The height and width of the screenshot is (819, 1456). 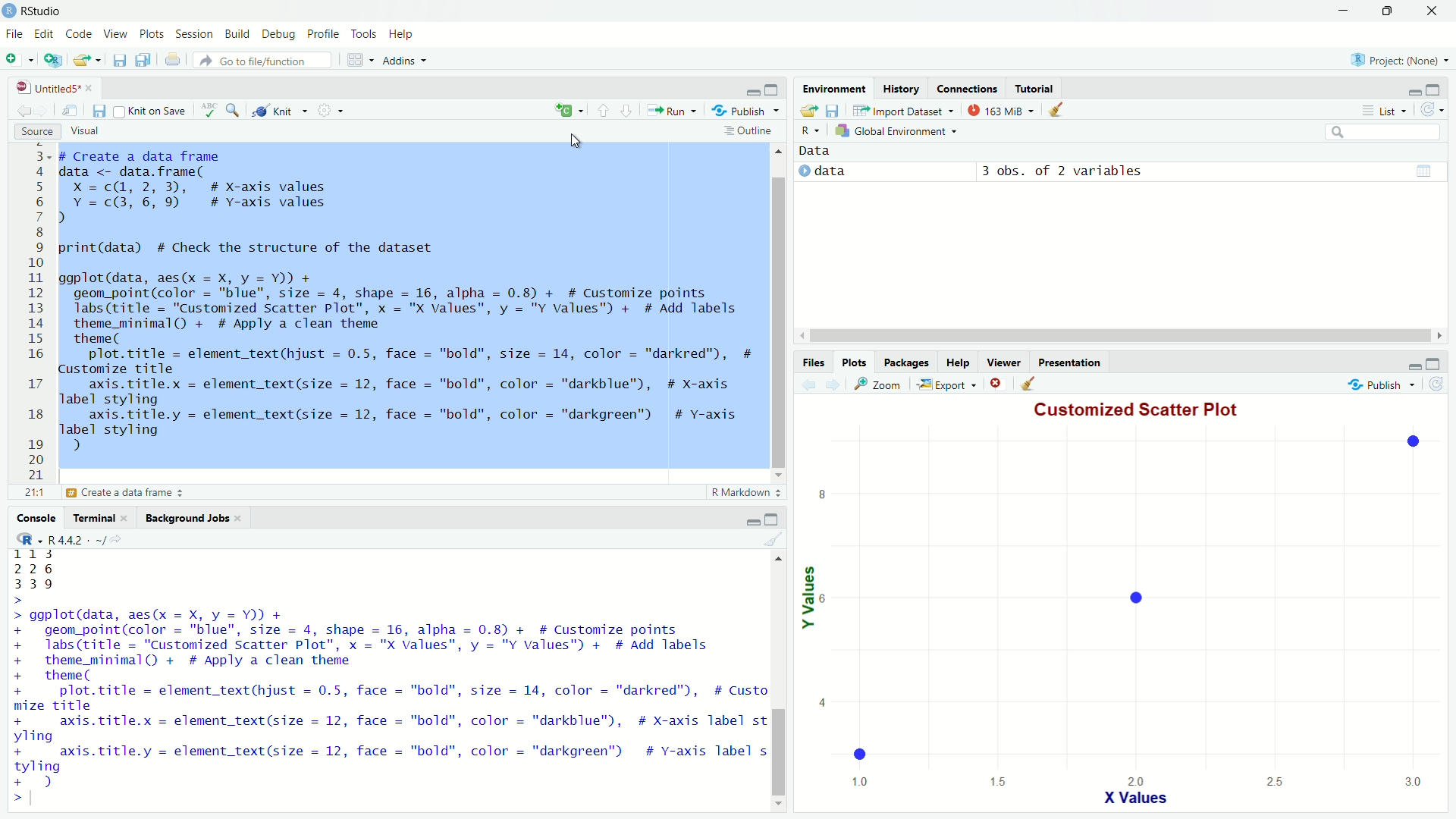 I want to click on debug, so click(x=237, y=33).